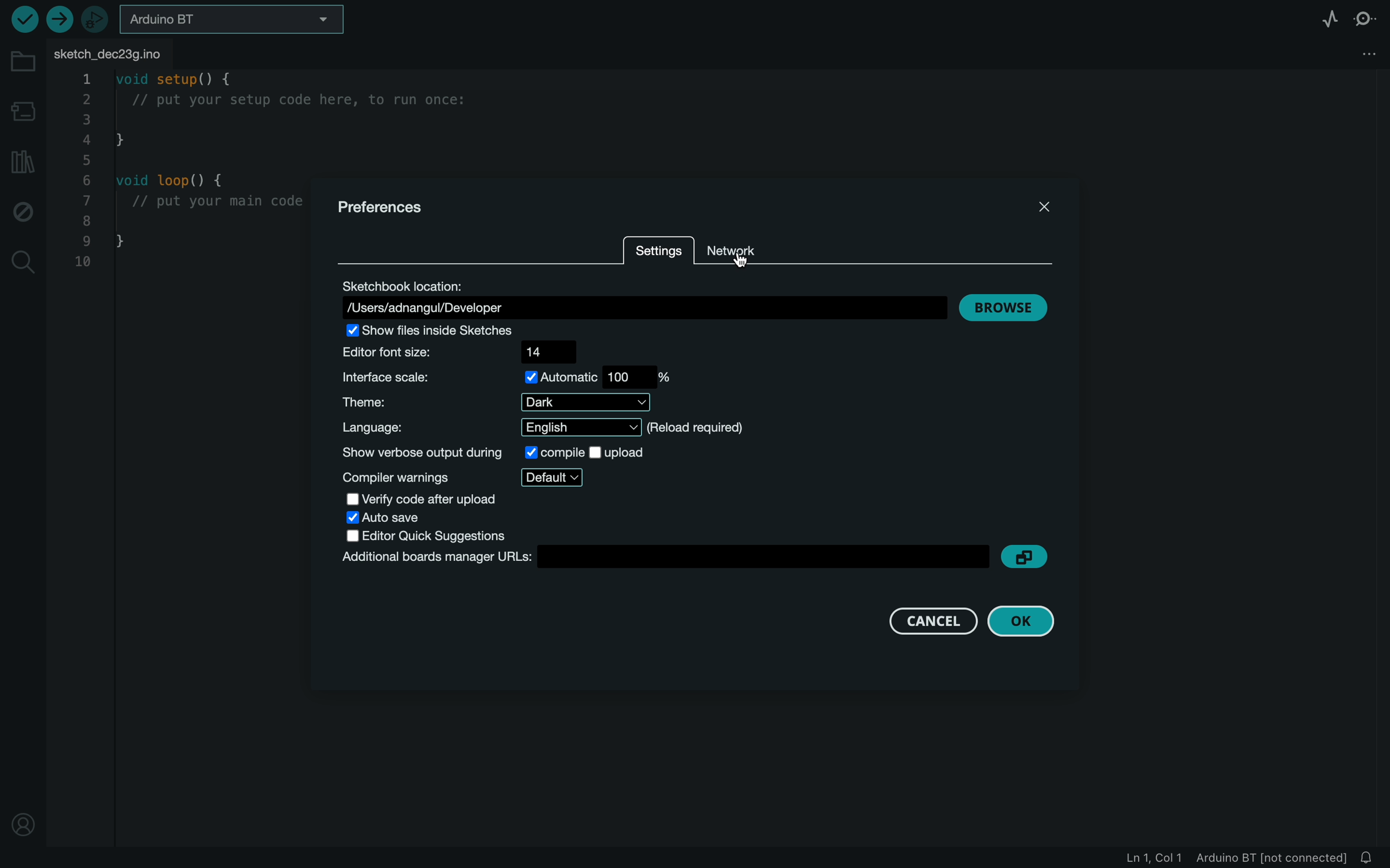  I want to click on board manager, so click(25, 114).